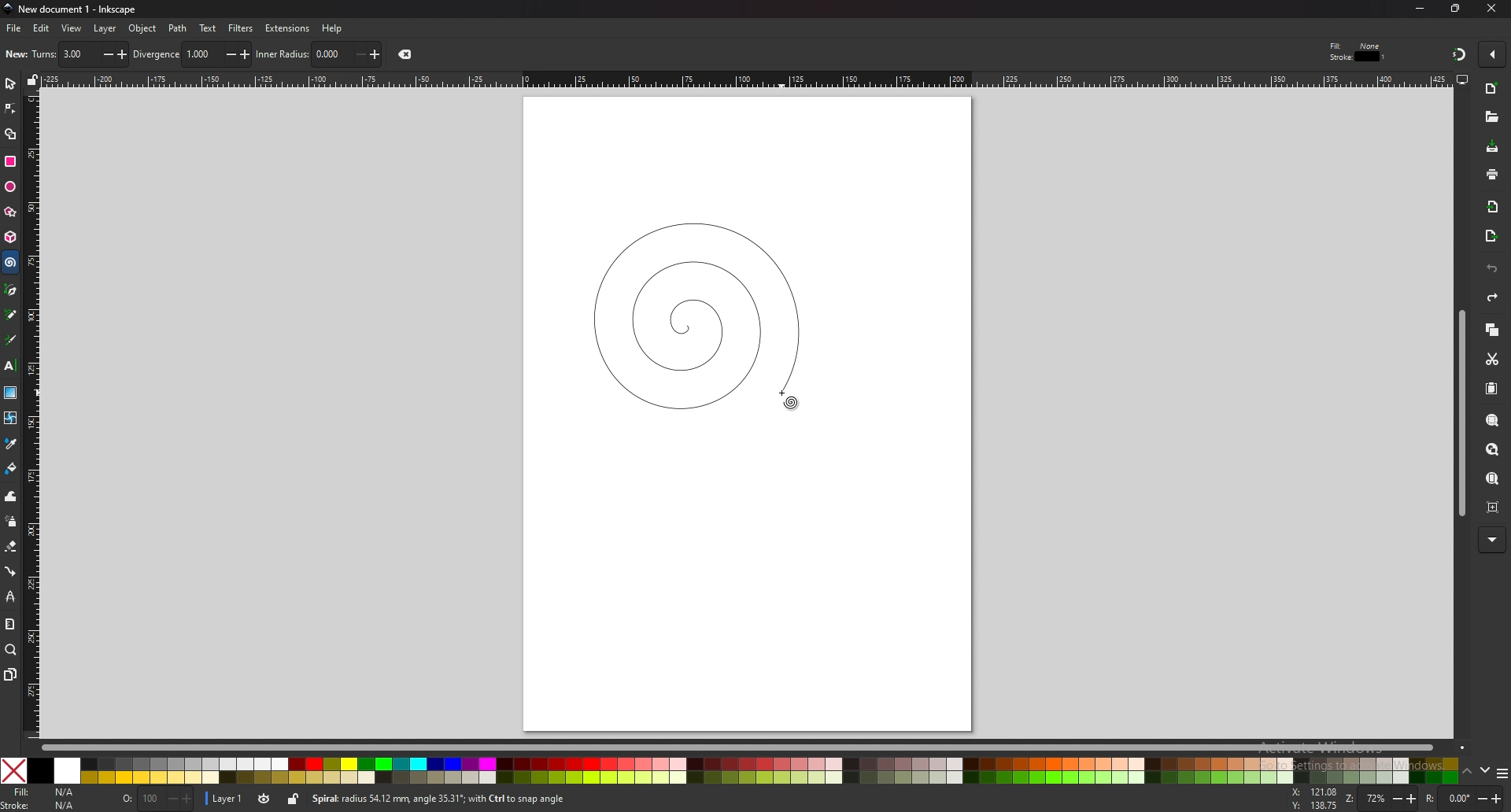 Image resolution: width=1511 pixels, height=812 pixels. Describe the element at coordinates (752, 747) in the screenshot. I see `scroll bar` at that location.